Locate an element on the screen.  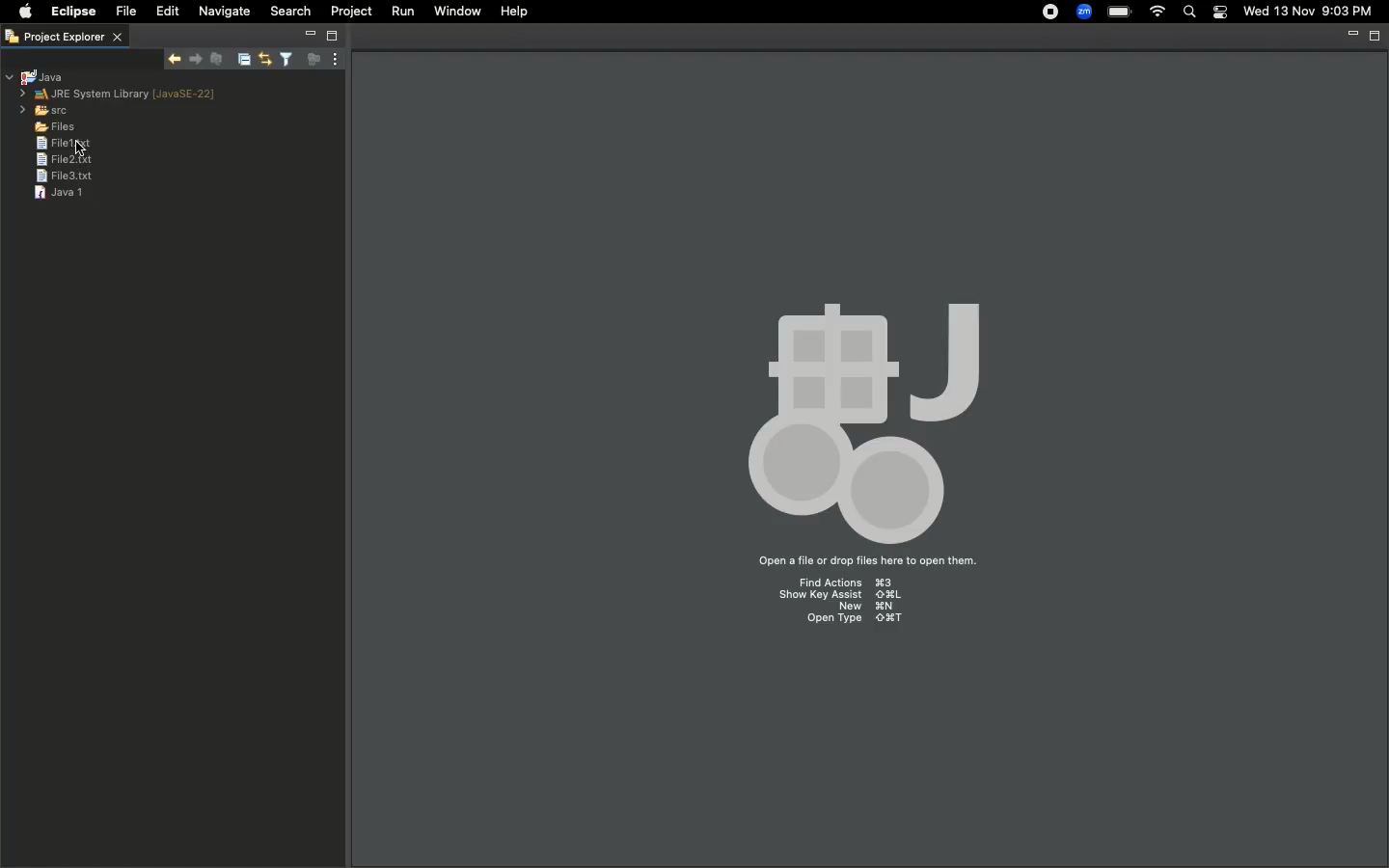
New is located at coordinates (866, 607).